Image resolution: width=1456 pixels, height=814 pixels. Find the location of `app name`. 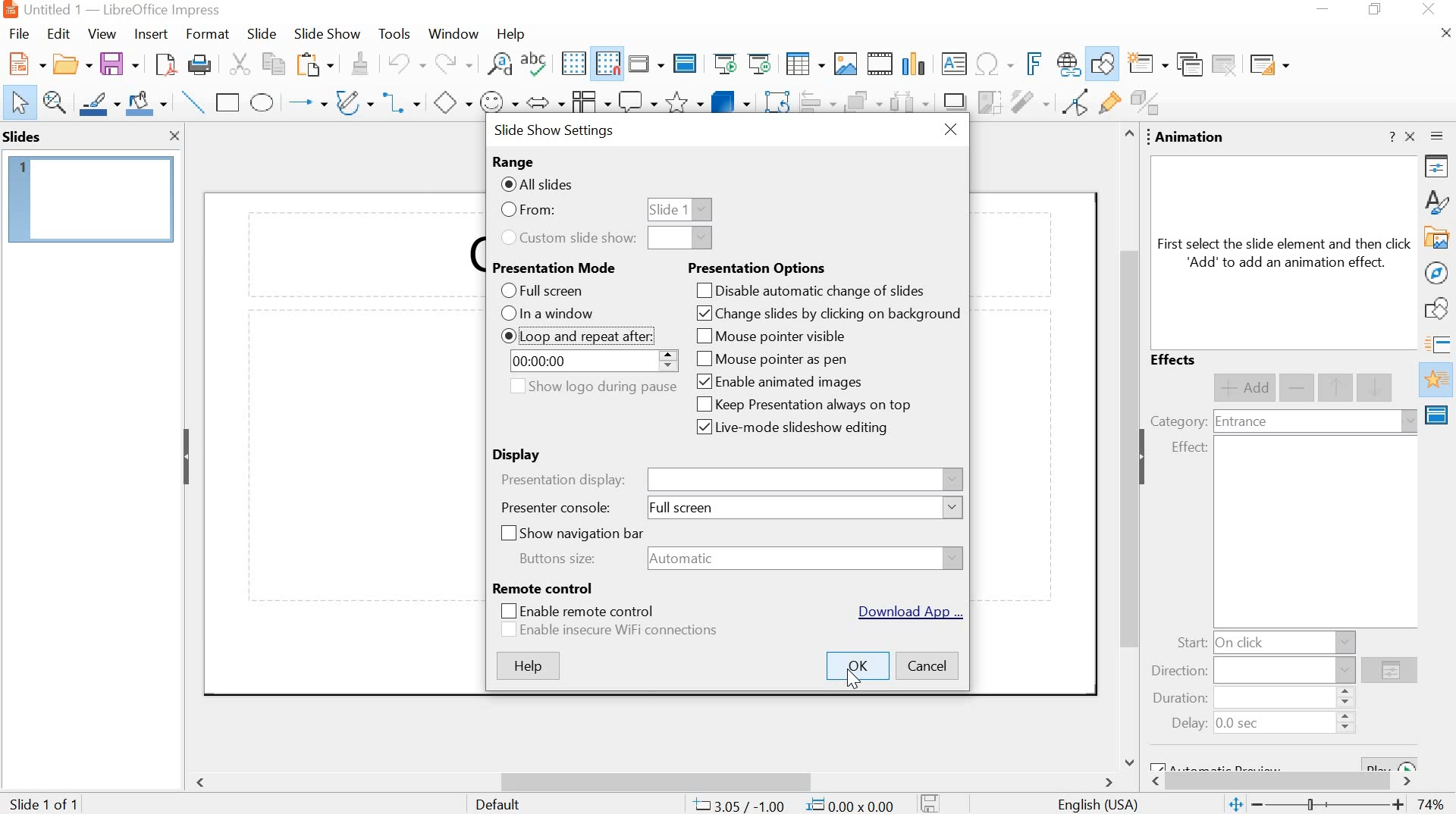

app name is located at coordinates (162, 10).